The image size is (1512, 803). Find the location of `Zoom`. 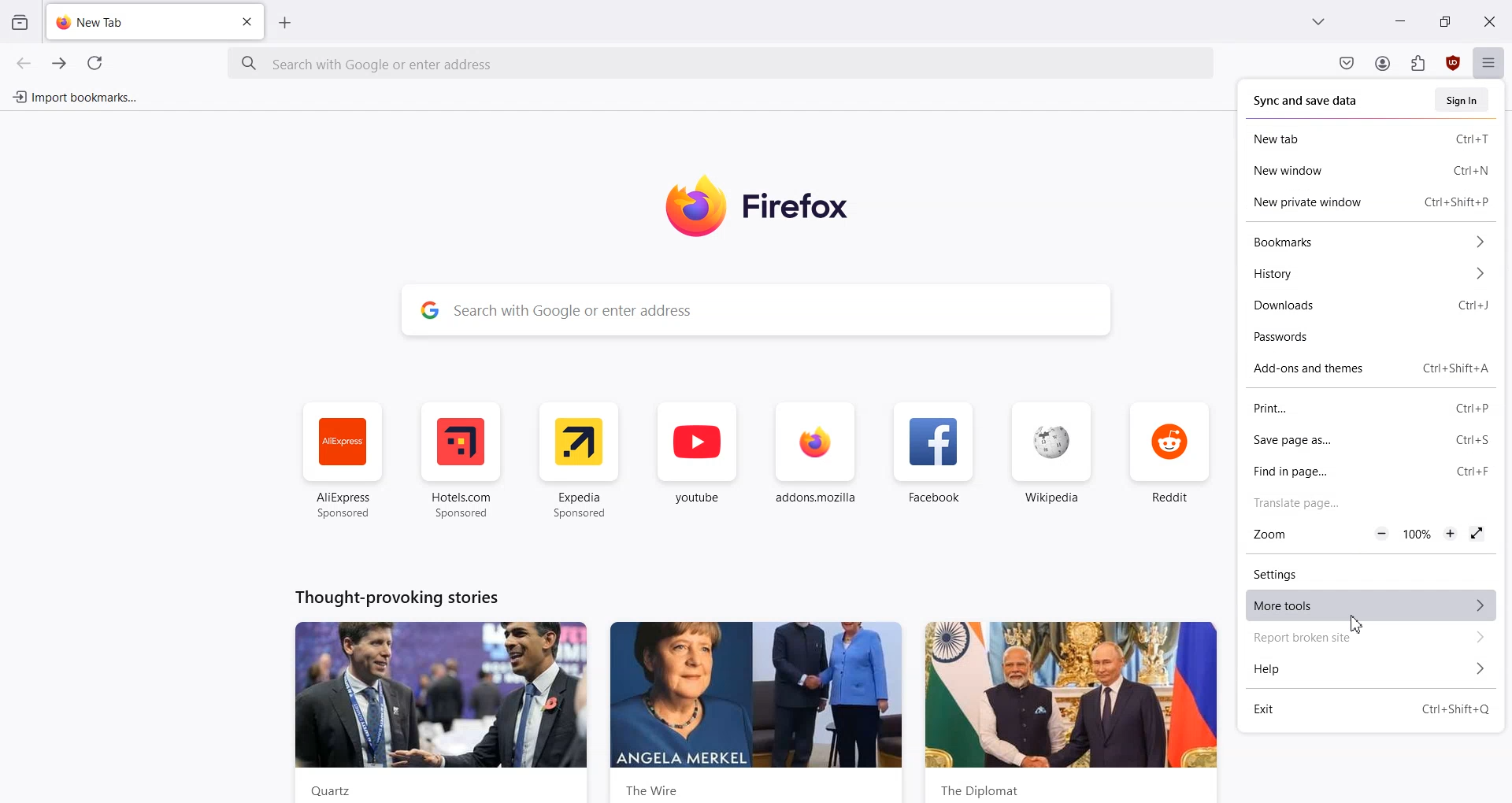

Zoom is located at coordinates (1287, 535).